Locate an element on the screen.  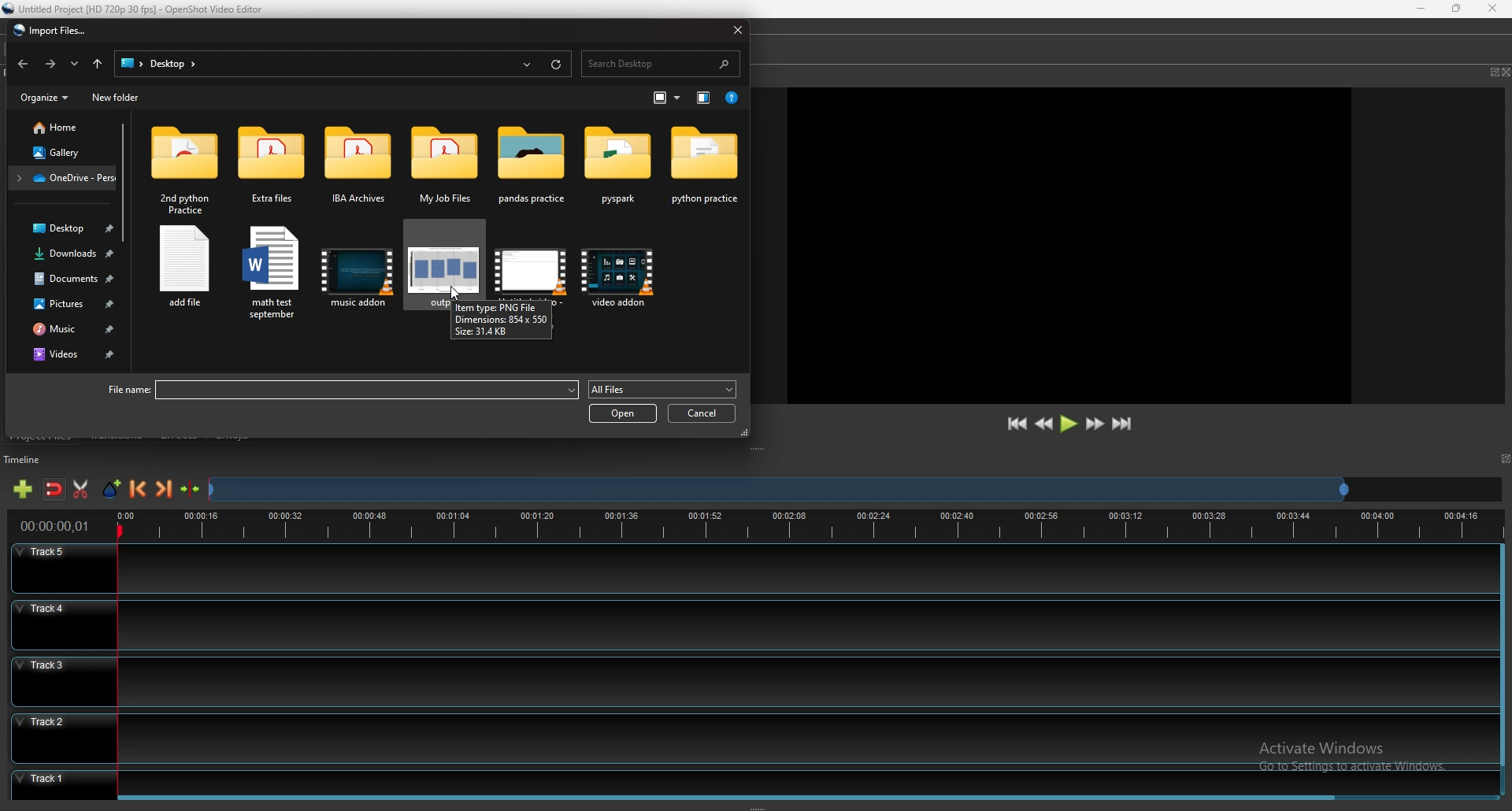
gallery is located at coordinates (62, 152).